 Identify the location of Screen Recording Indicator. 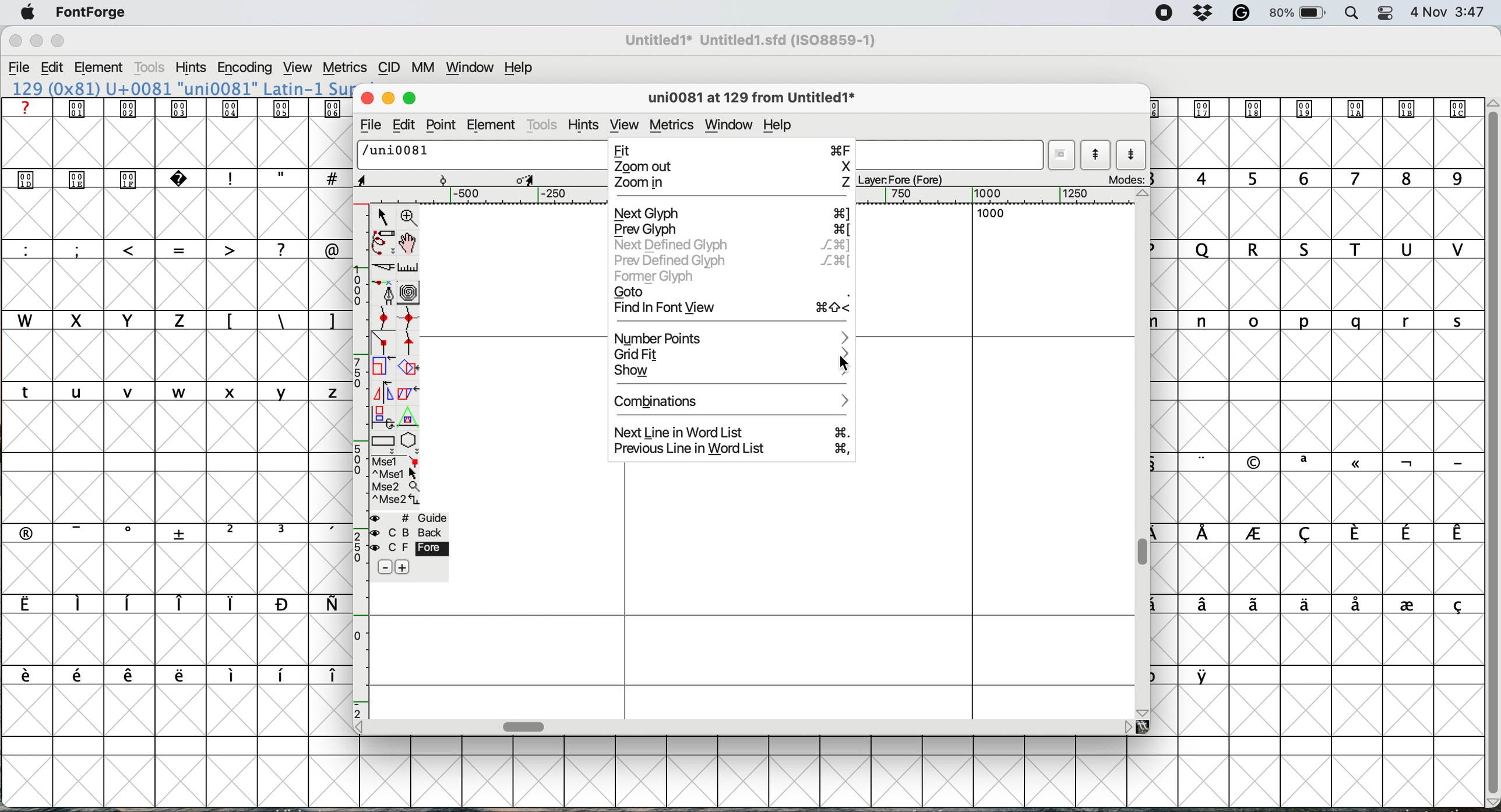
(1164, 13).